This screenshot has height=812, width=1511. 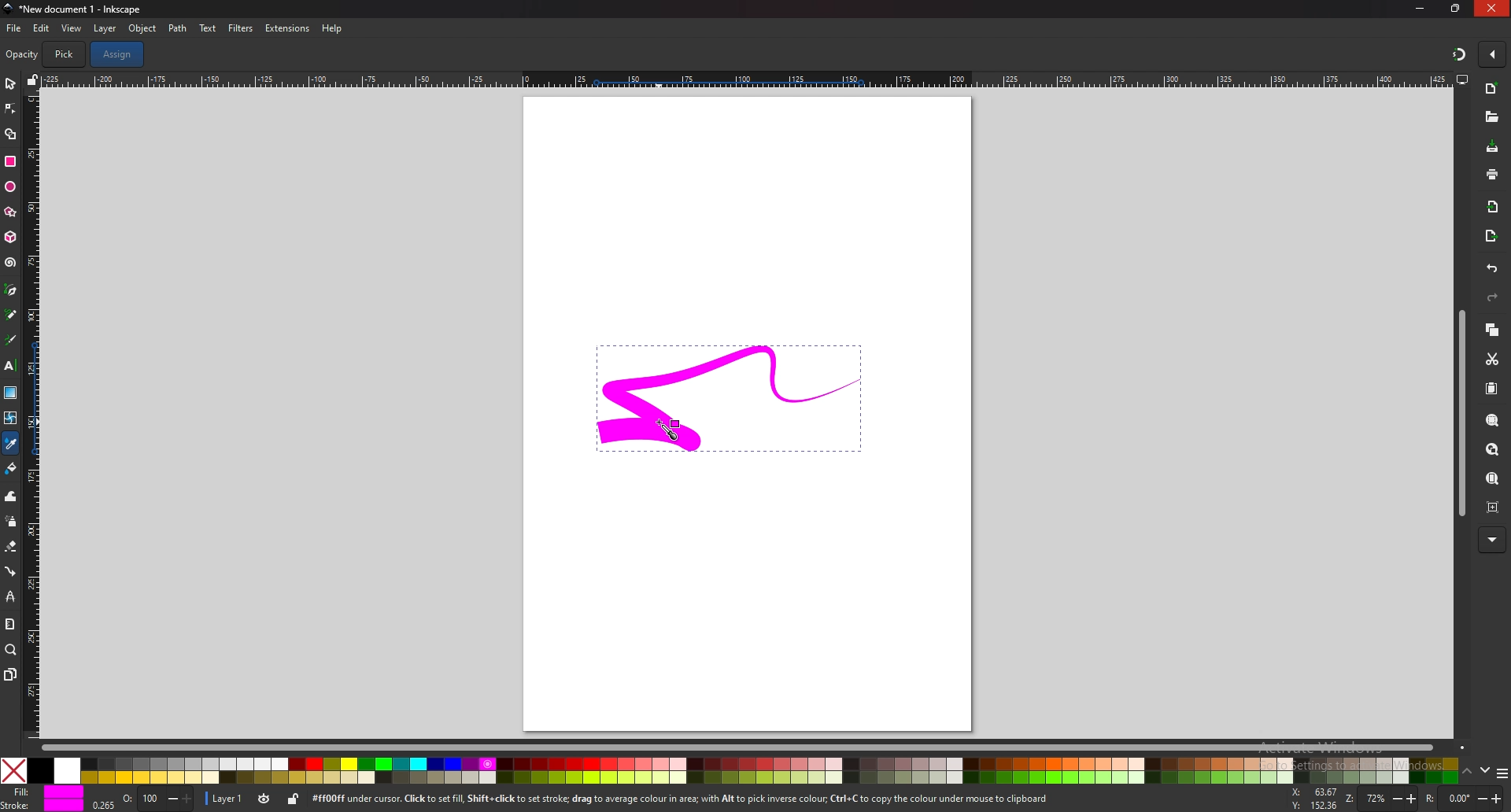 I want to click on spray, so click(x=10, y=522).